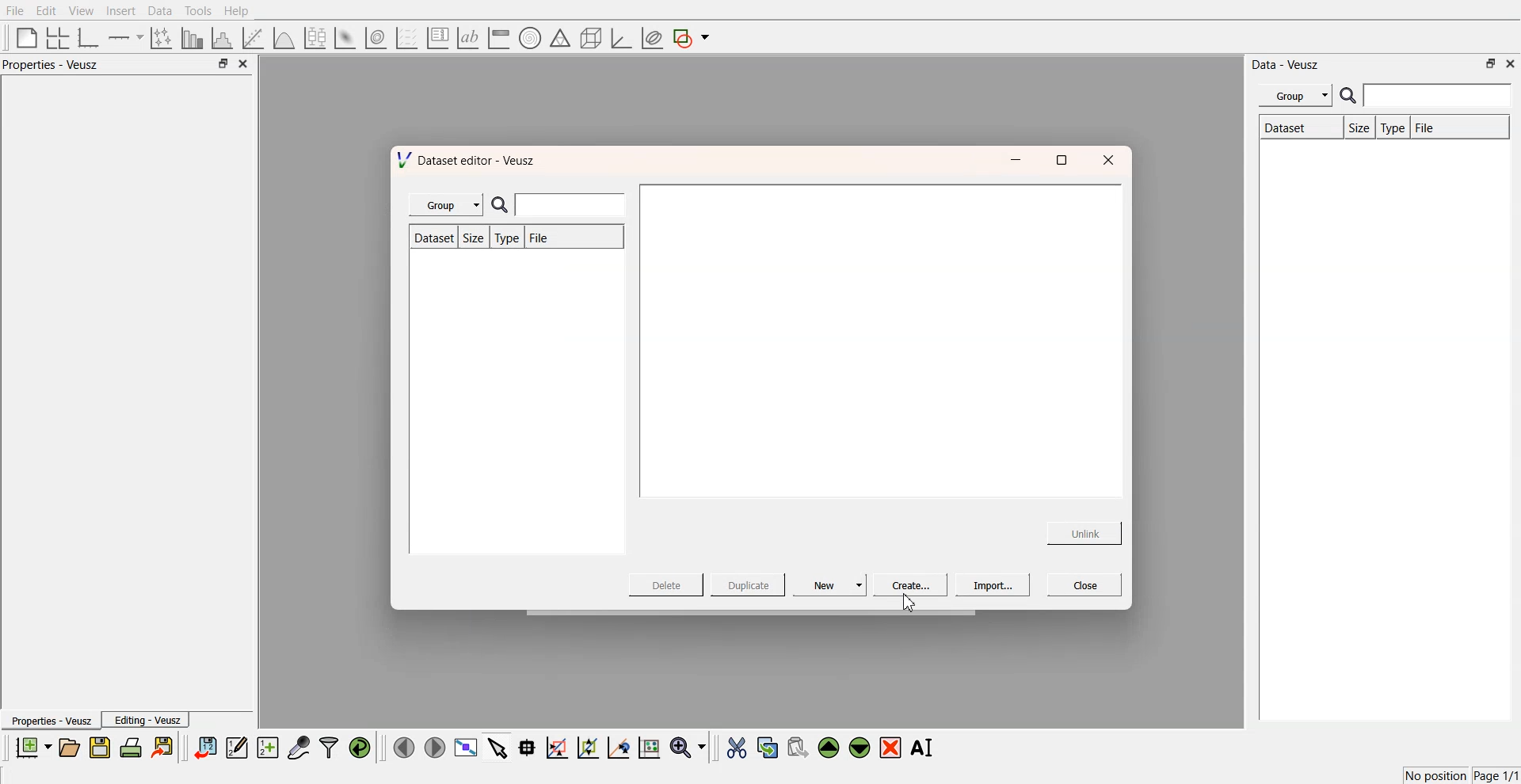 The height and width of the screenshot is (784, 1521). I want to click on File, so click(540, 240).